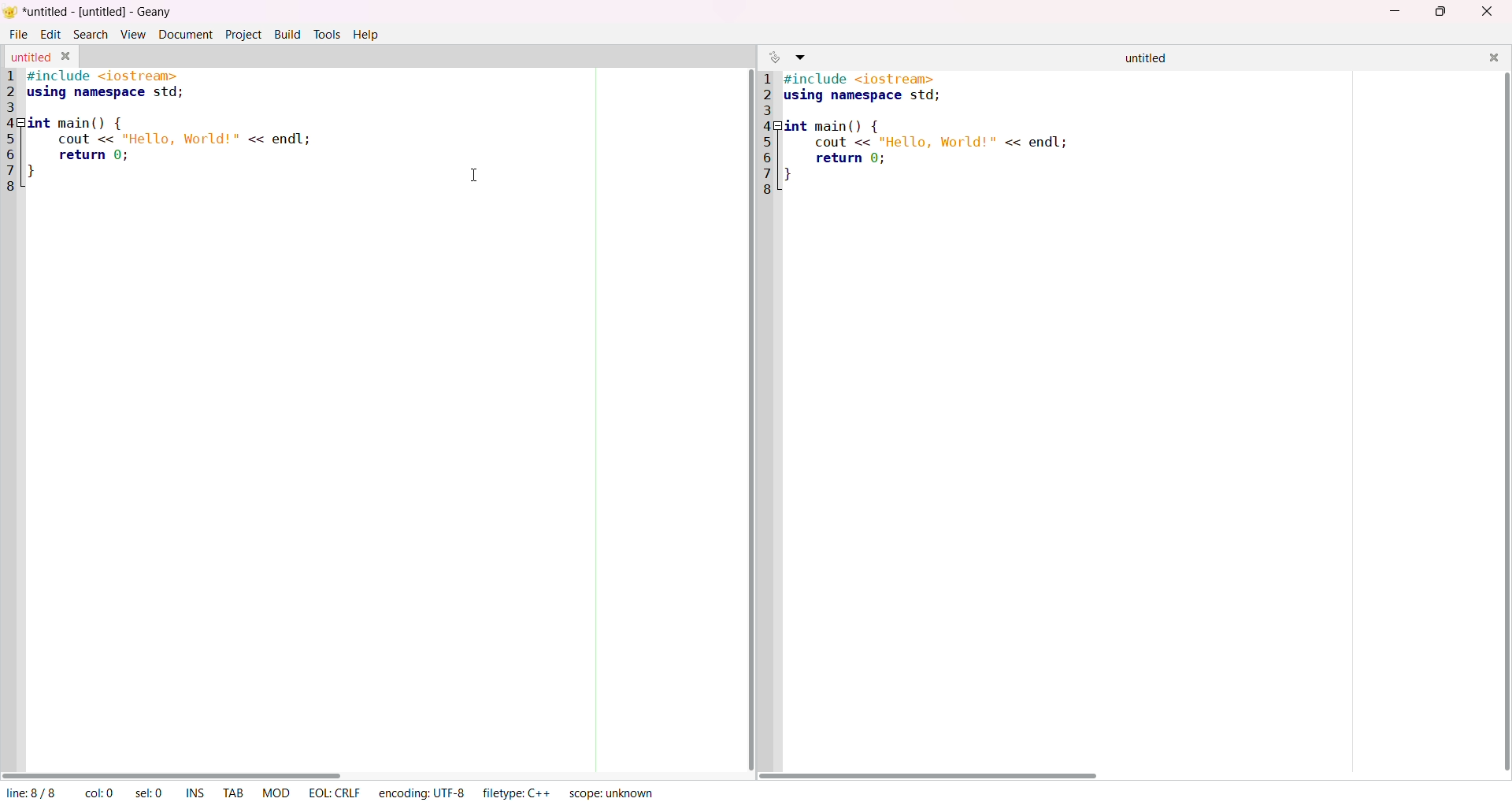  I want to click on FL LEGE COStTeam»
sing namespace std;
int main() {
cout << "Hello, World!" << endl;
return ©;, so click(925, 129).